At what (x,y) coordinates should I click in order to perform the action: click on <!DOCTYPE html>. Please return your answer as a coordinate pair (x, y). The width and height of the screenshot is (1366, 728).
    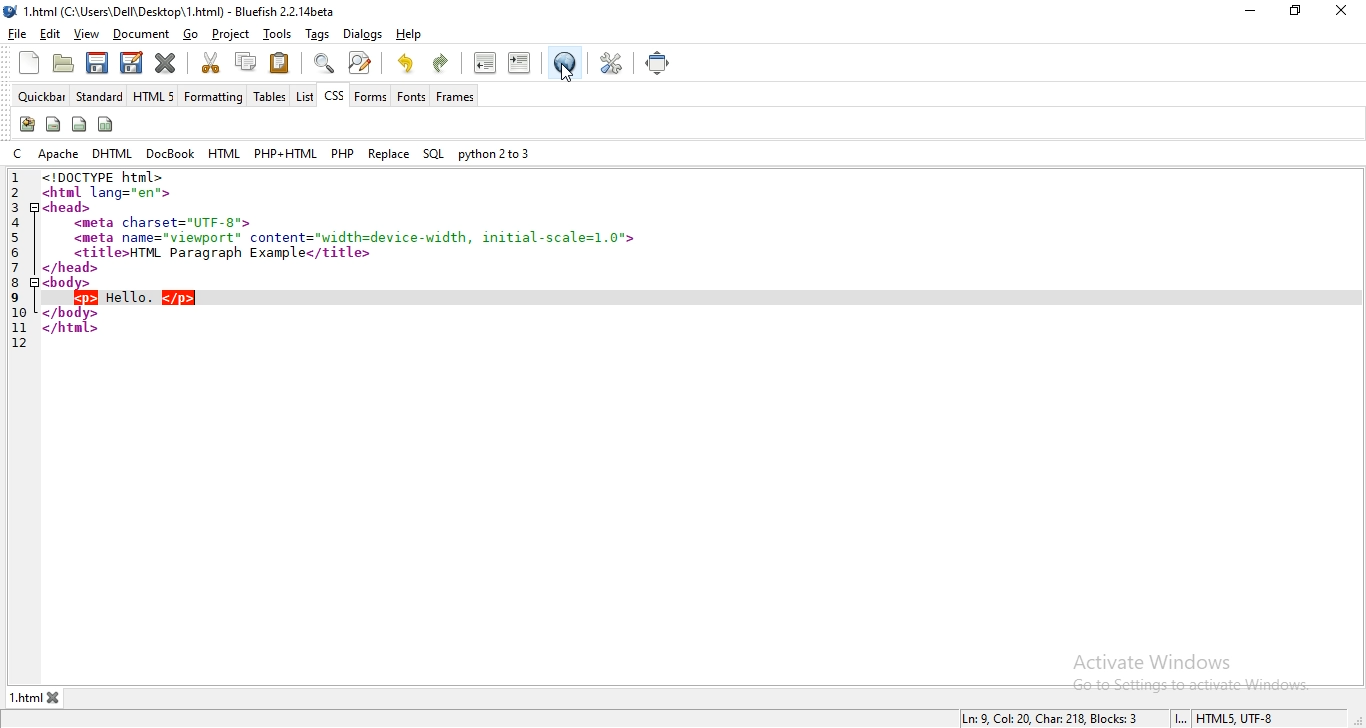
    Looking at the image, I should click on (110, 177).